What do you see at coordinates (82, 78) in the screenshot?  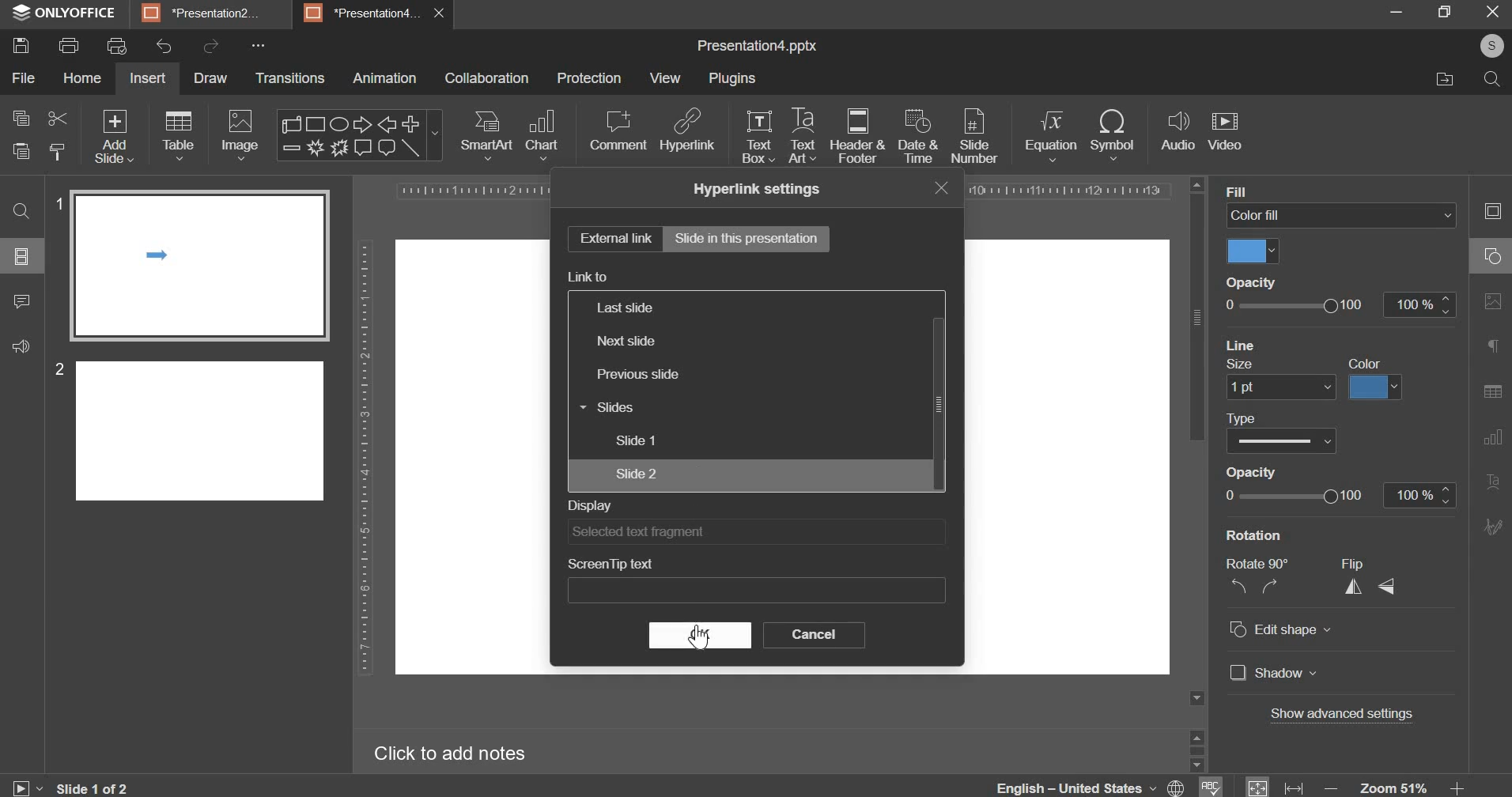 I see `home` at bounding box center [82, 78].